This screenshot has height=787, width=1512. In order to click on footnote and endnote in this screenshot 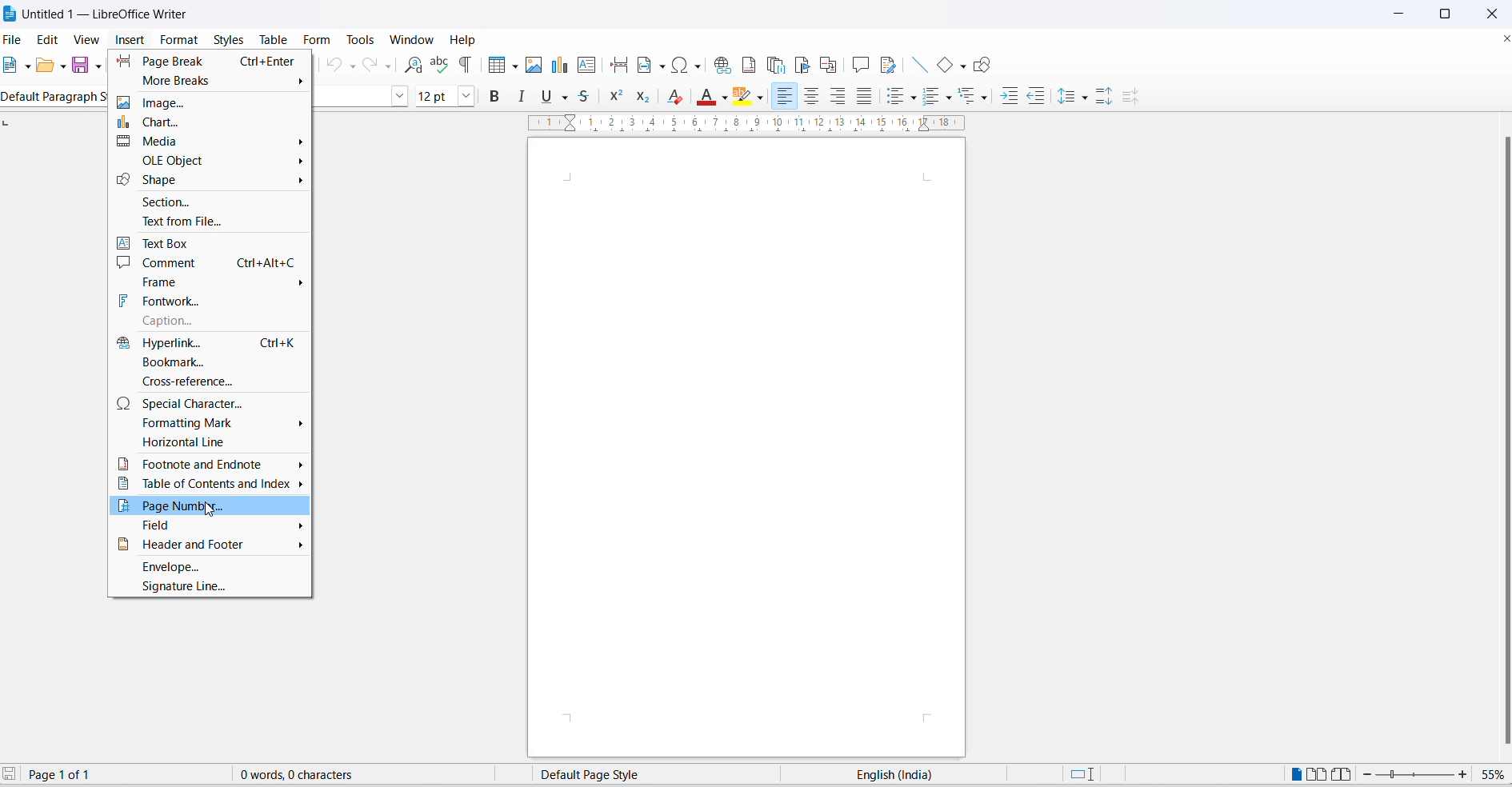, I will do `click(206, 463)`.